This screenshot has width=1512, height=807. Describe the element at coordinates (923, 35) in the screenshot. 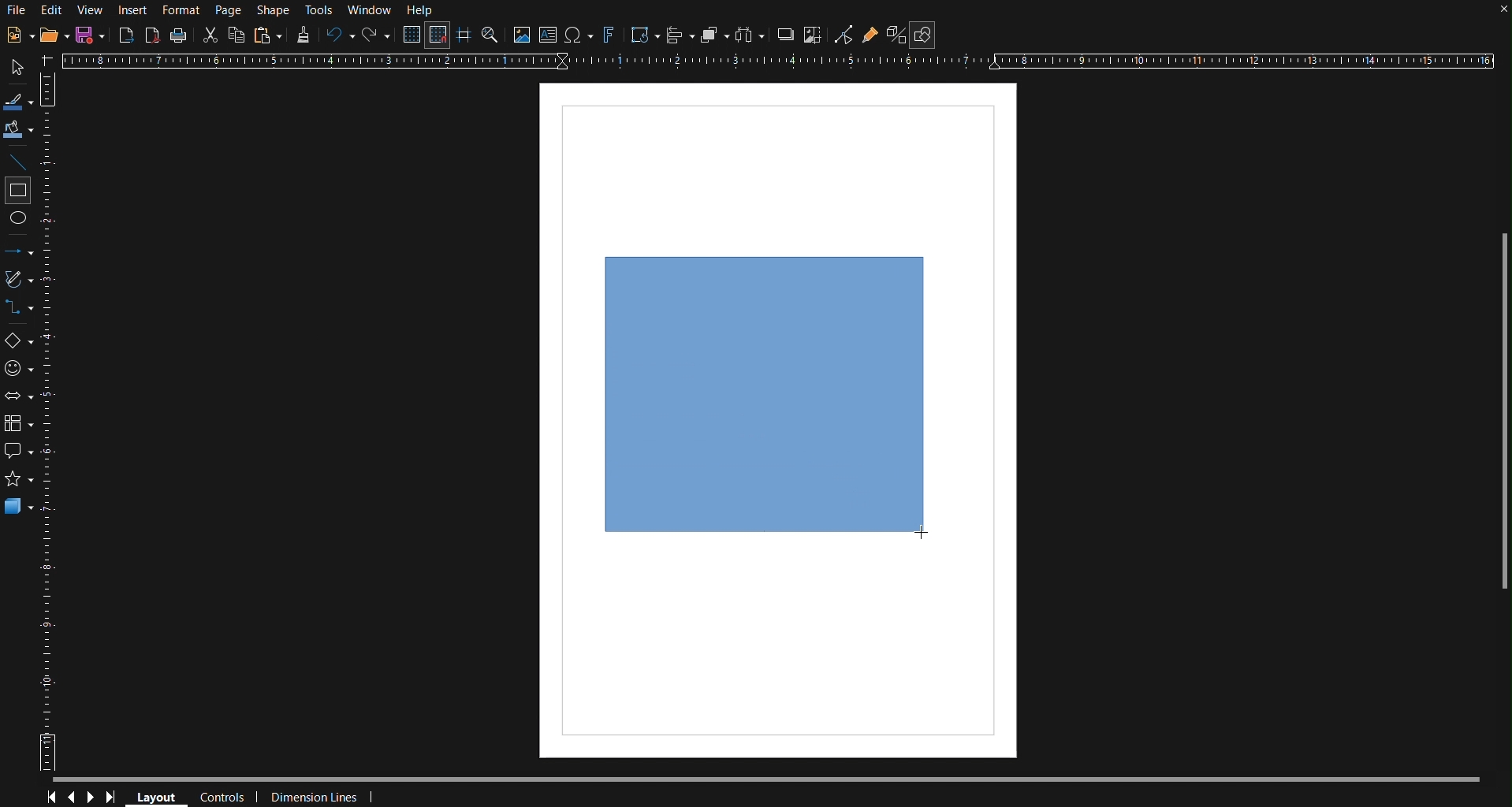

I see `Show Draw Functions` at that location.